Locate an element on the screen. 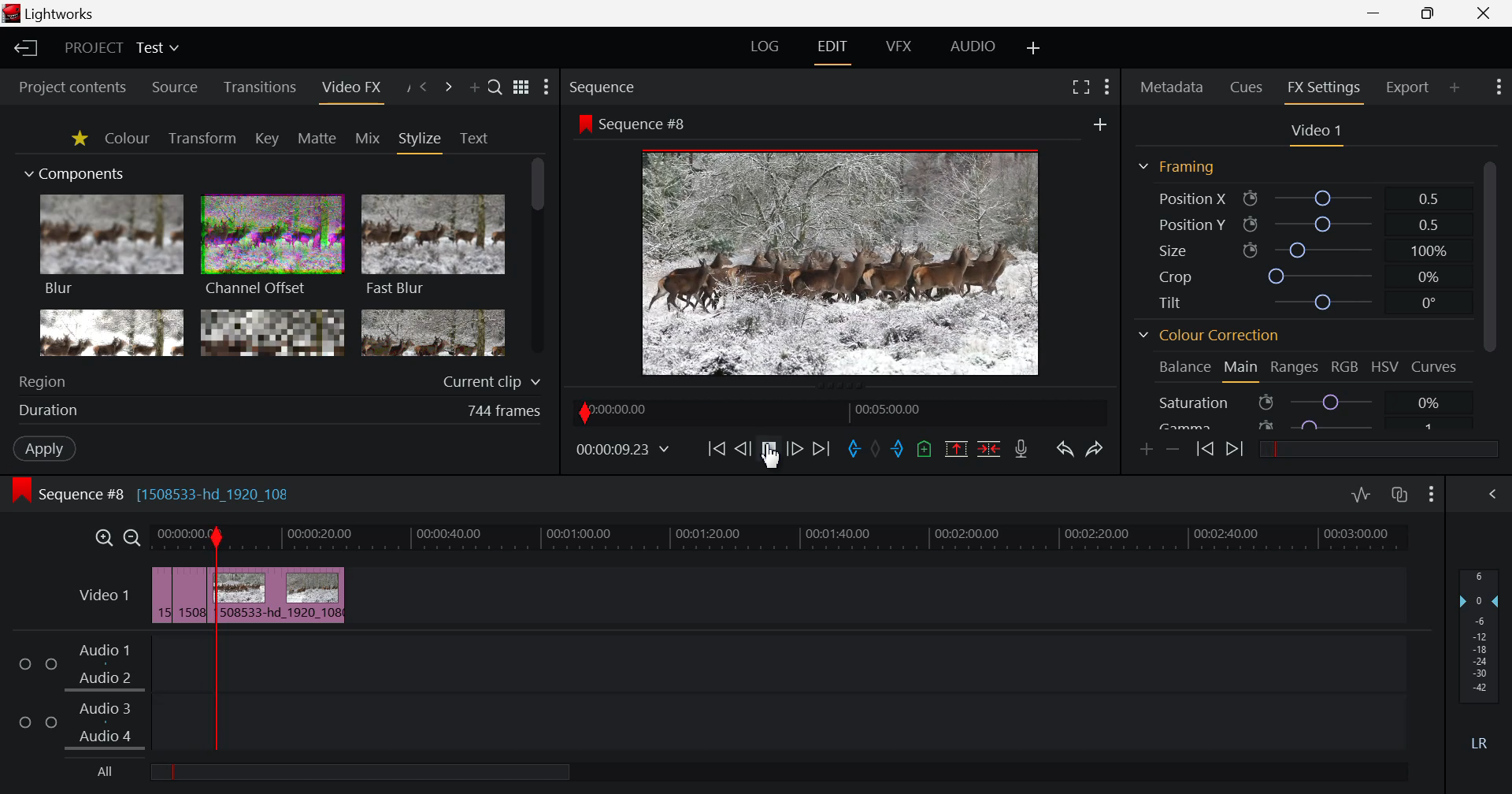 The width and height of the screenshot is (1512, 794). Show Settings is located at coordinates (1107, 90).